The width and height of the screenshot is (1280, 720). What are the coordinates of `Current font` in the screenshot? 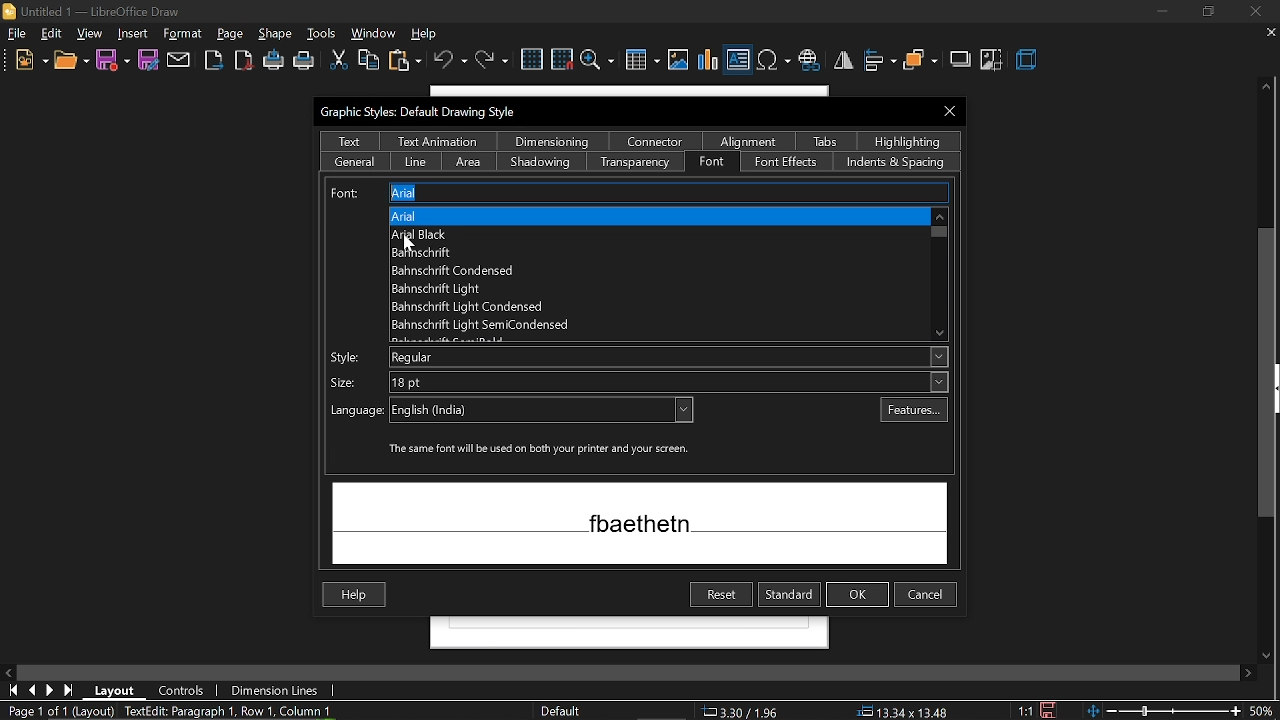 It's located at (634, 192).